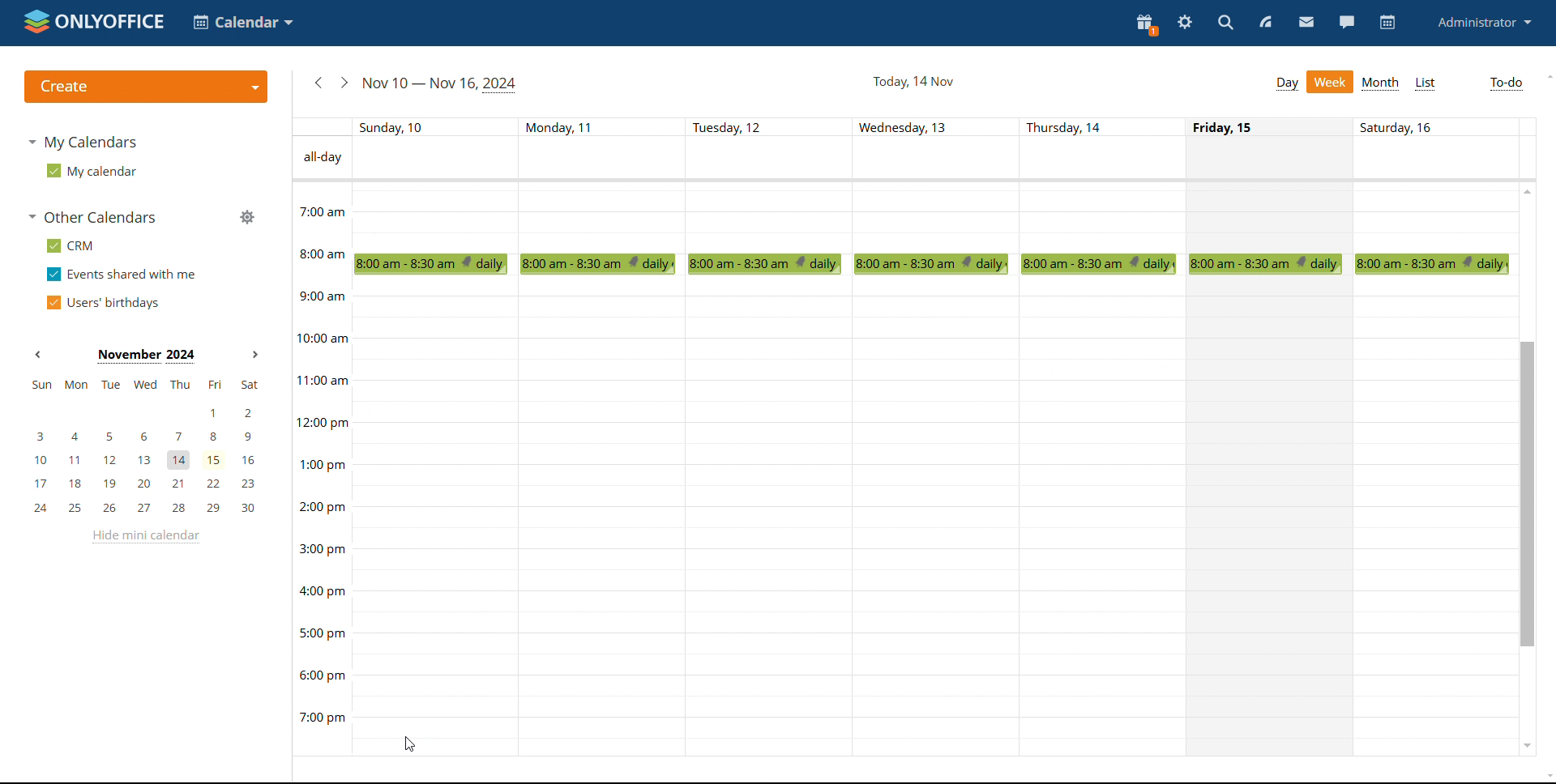  What do you see at coordinates (1145, 24) in the screenshot?
I see `present` at bounding box center [1145, 24].